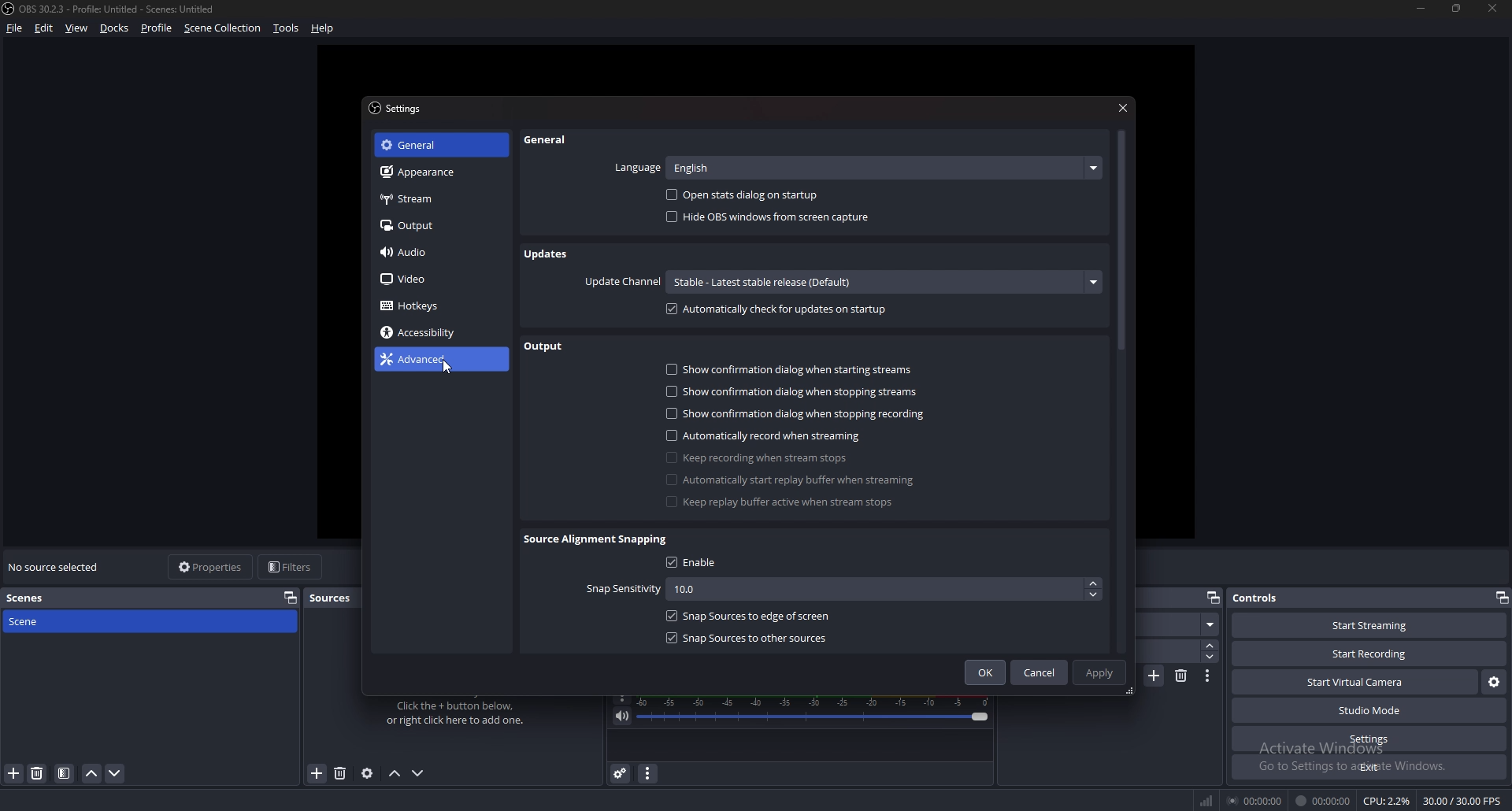 Image resolution: width=1512 pixels, height=811 pixels. What do you see at coordinates (17, 28) in the screenshot?
I see `file` at bounding box center [17, 28].